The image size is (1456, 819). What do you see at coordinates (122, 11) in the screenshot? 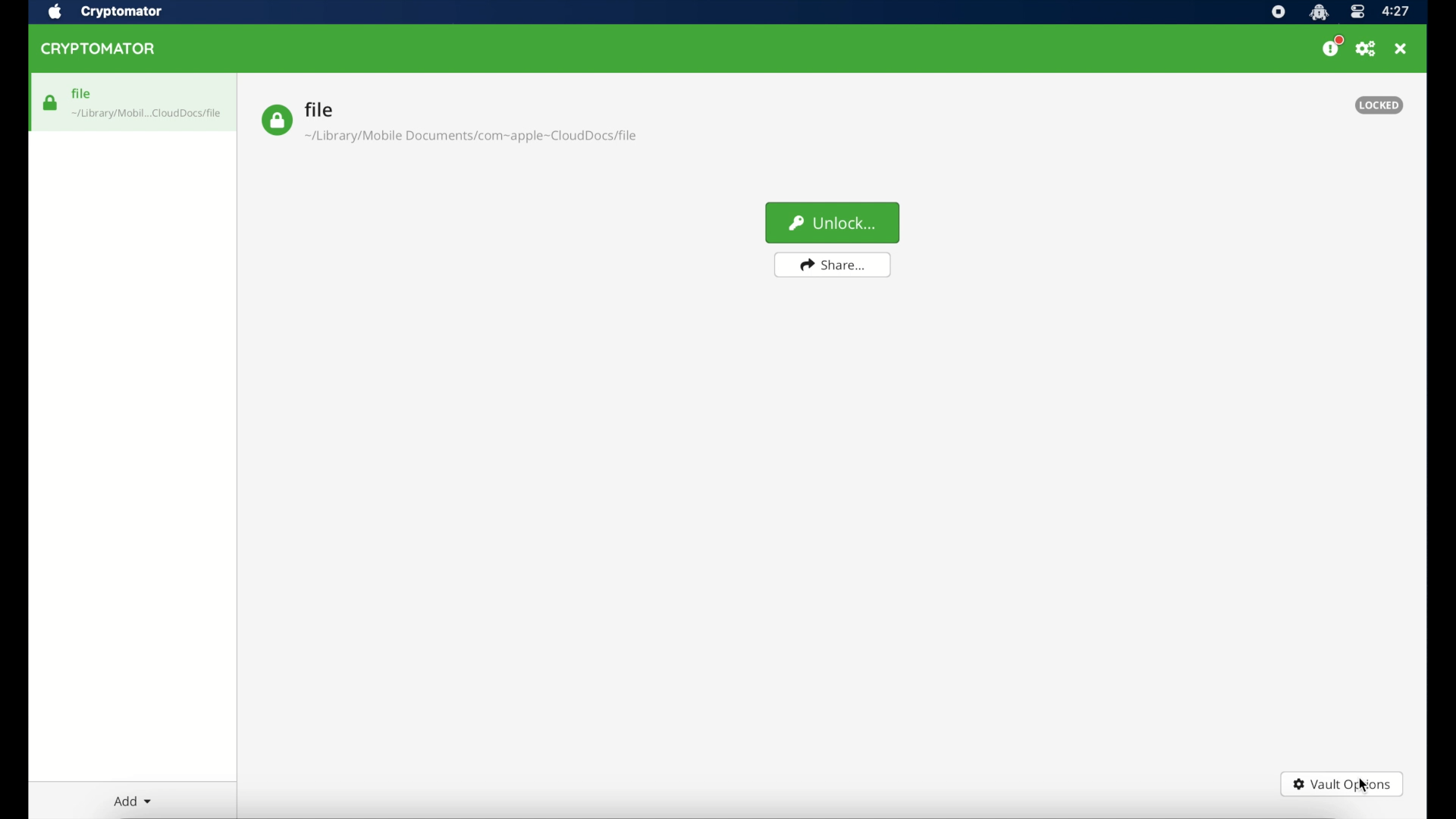
I see `cryptomator` at bounding box center [122, 11].